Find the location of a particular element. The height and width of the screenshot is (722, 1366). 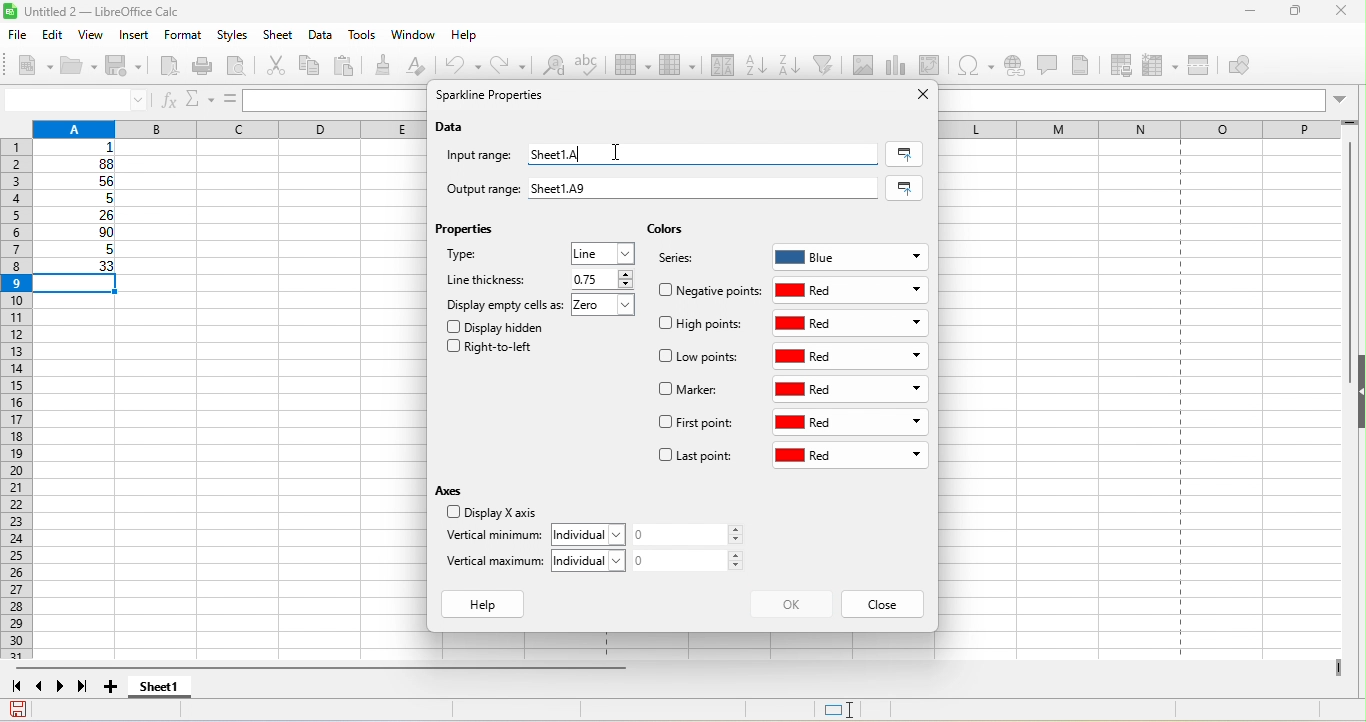

56 is located at coordinates (82, 182).